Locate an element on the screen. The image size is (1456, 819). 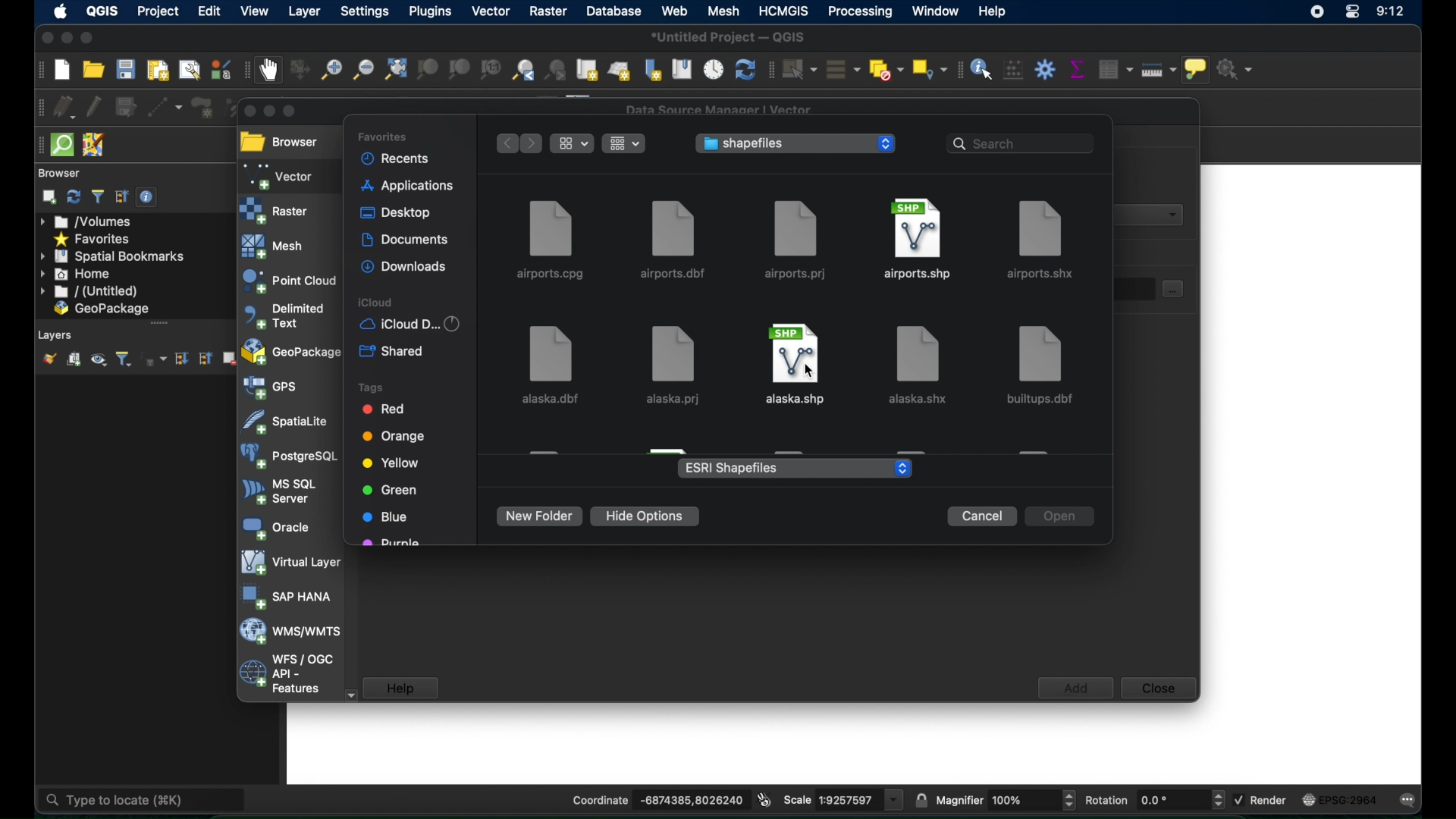
search bar is located at coordinates (1021, 143).